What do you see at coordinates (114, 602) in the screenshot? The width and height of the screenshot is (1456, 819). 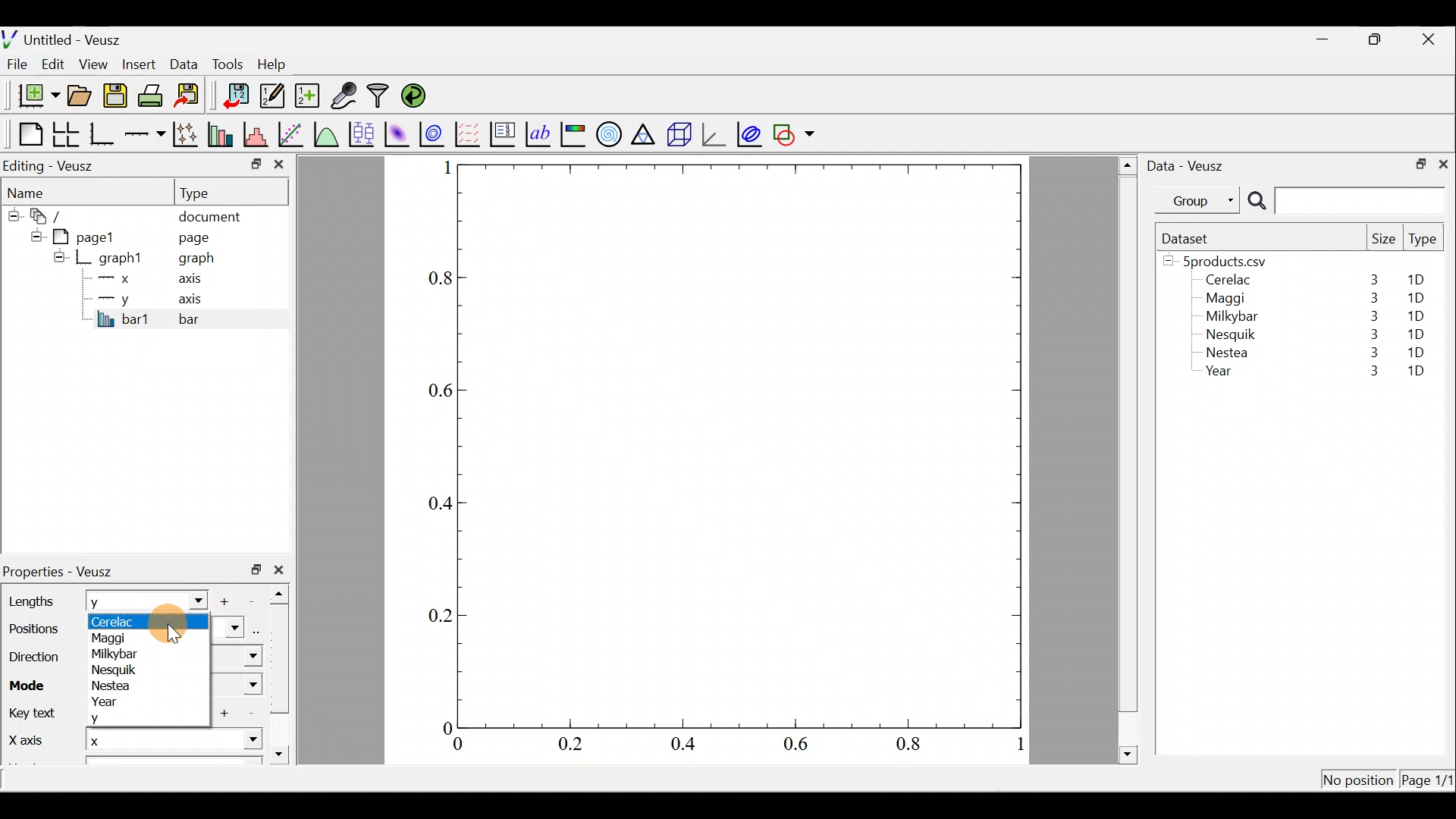 I see `y` at bounding box center [114, 602].